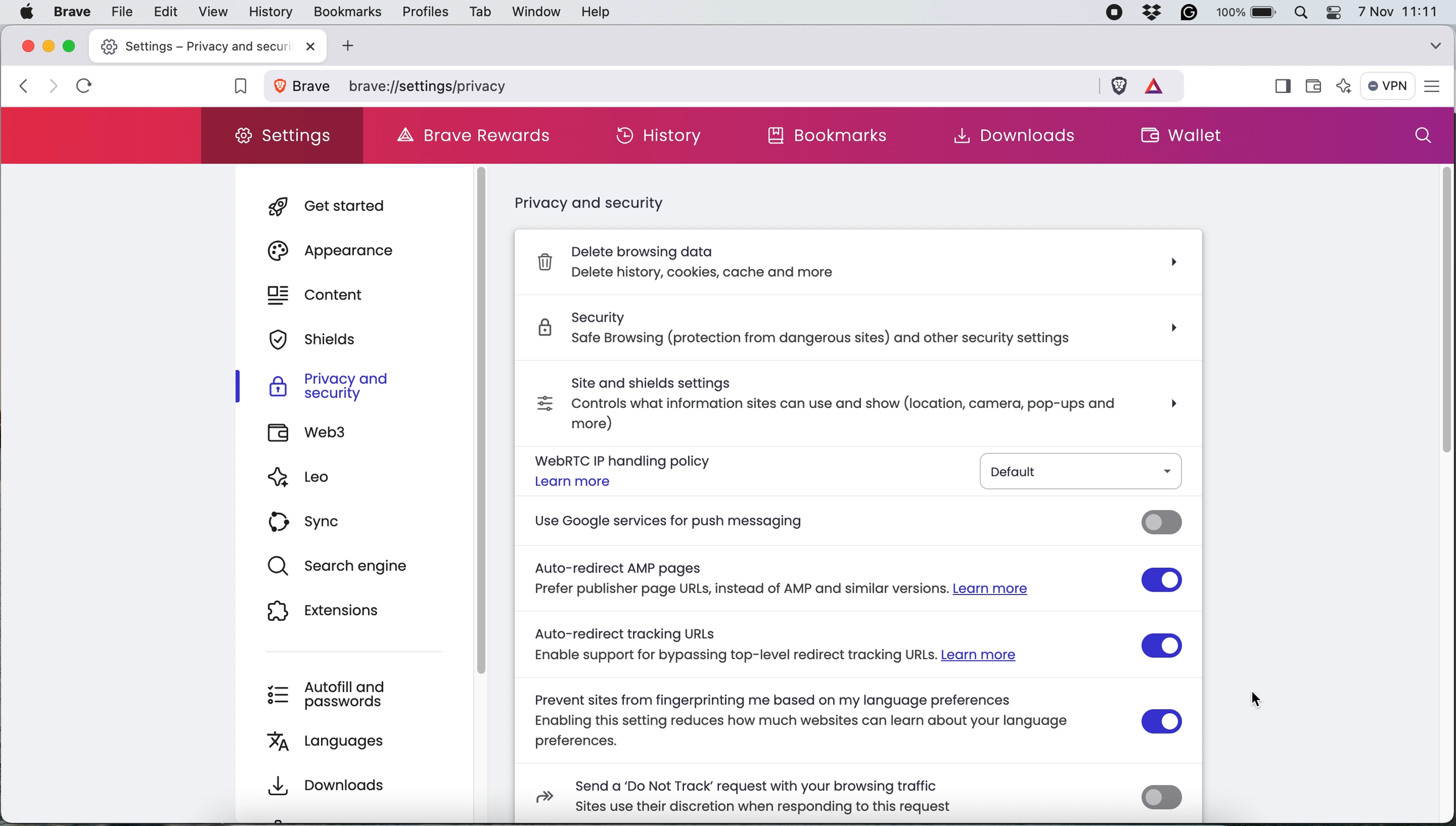 This screenshot has width=1456, height=826. I want to click on scrollbar, so click(1438, 321).